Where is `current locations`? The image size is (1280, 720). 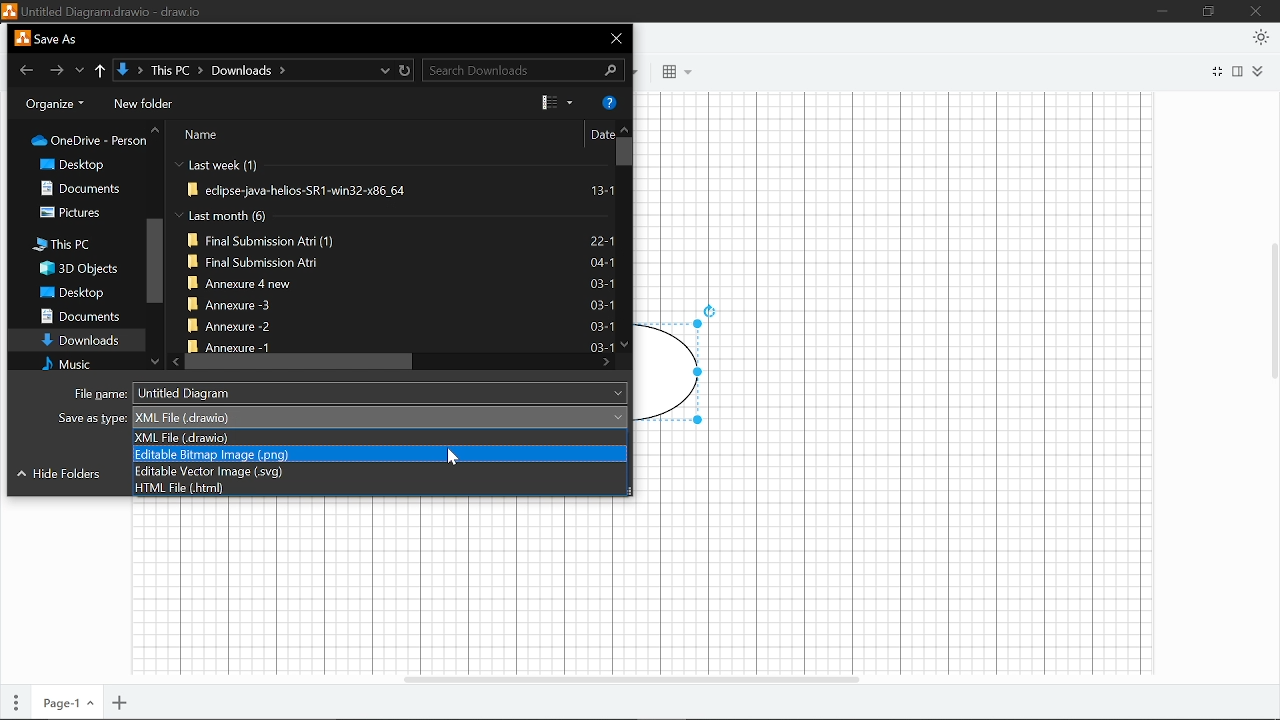
current locations is located at coordinates (385, 70).